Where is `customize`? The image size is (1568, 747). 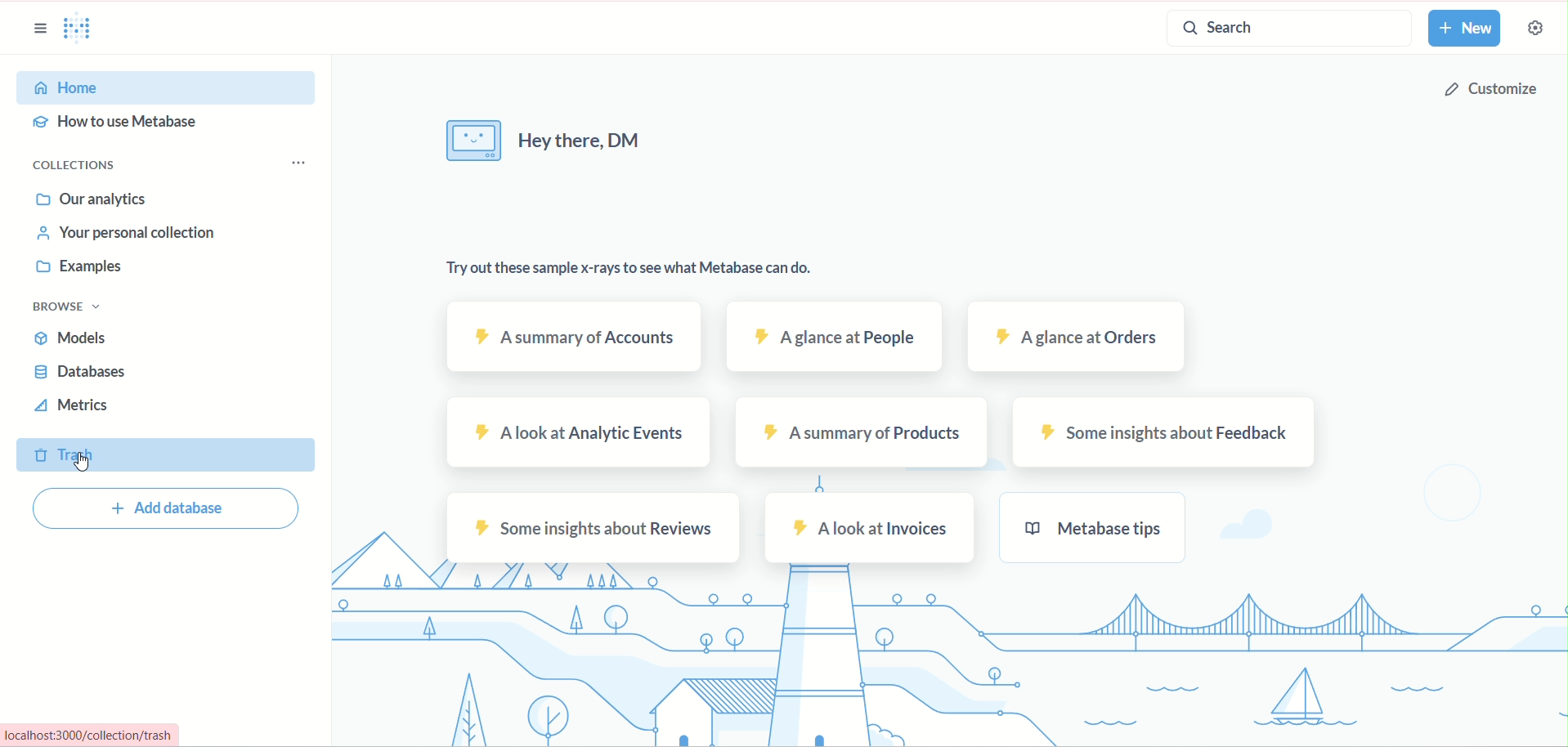
customize is located at coordinates (1486, 90).